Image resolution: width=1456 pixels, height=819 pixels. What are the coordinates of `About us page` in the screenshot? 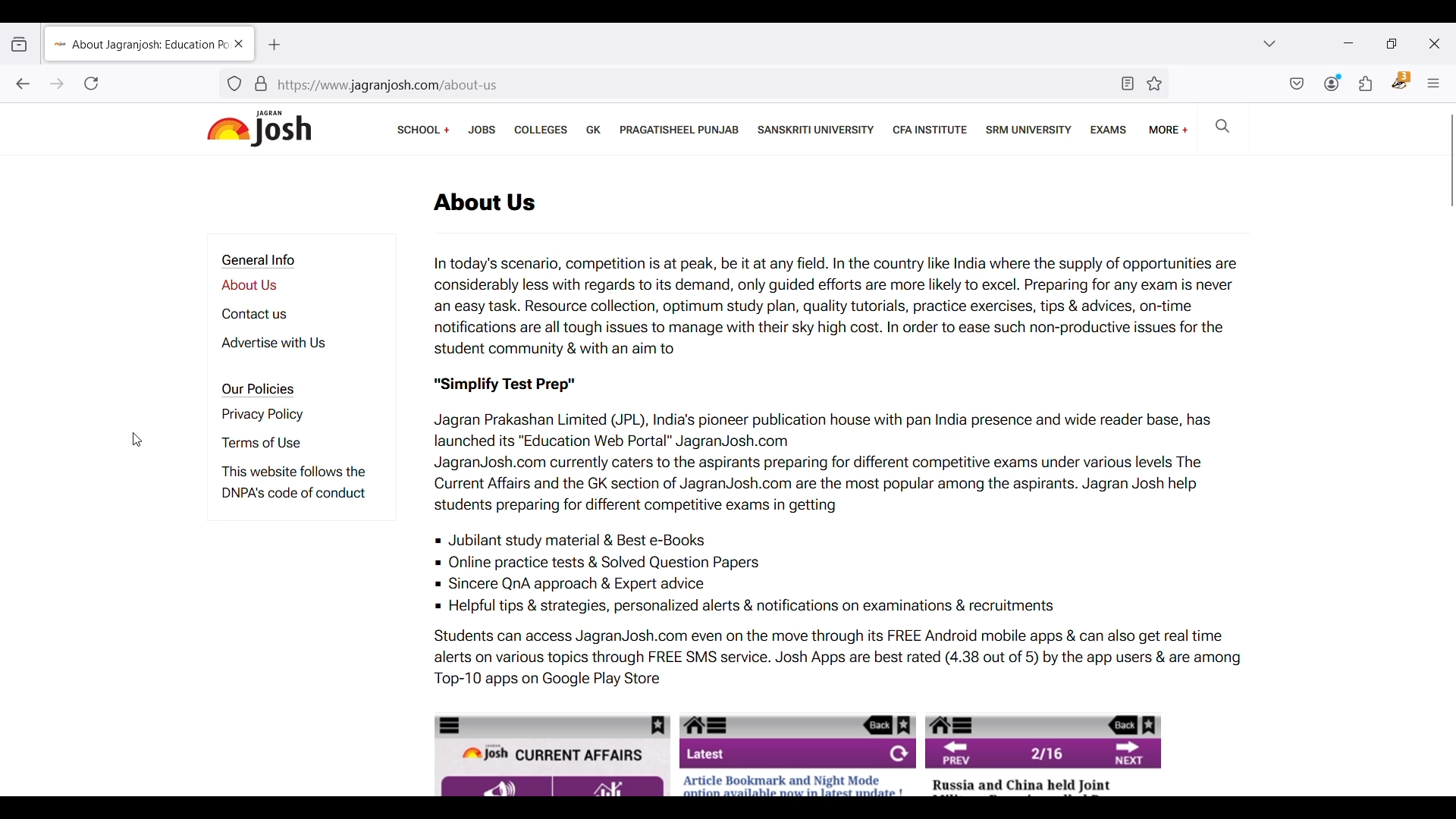 It's located at (269, 287).